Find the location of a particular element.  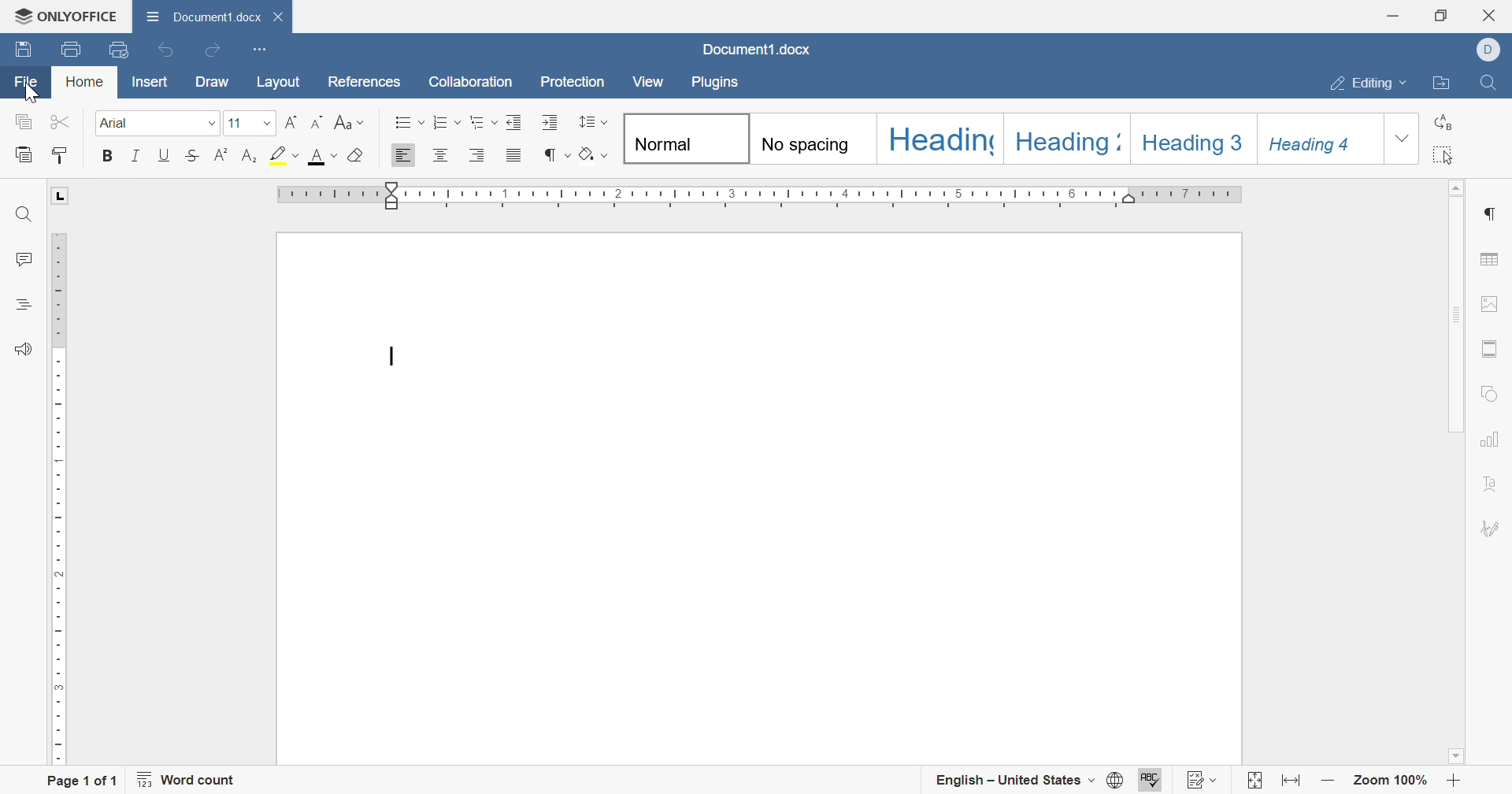

justified is located at coordinates (518, 157).